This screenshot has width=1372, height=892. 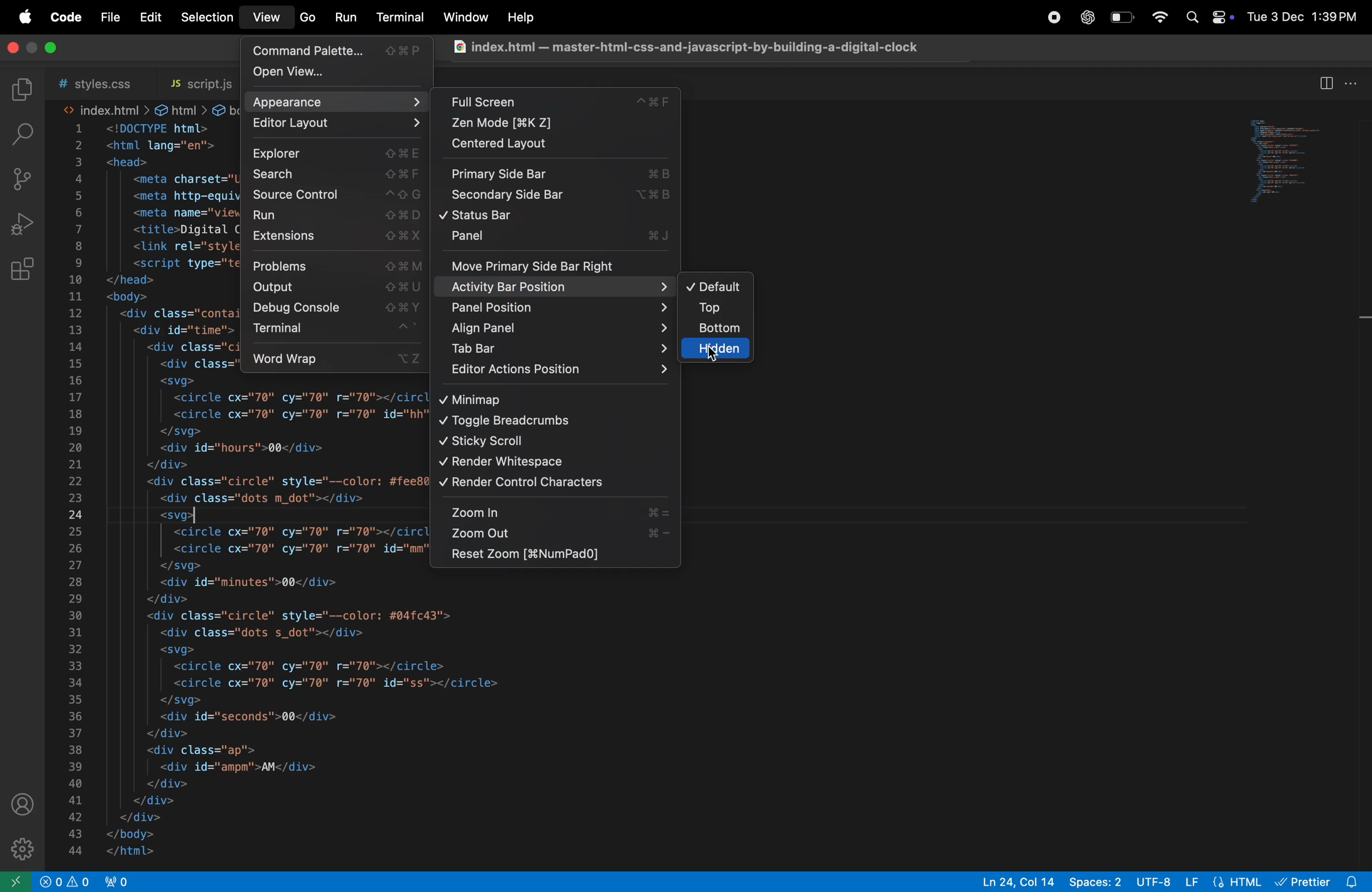 I want to click on wifi, so click(x=1155, y=16).